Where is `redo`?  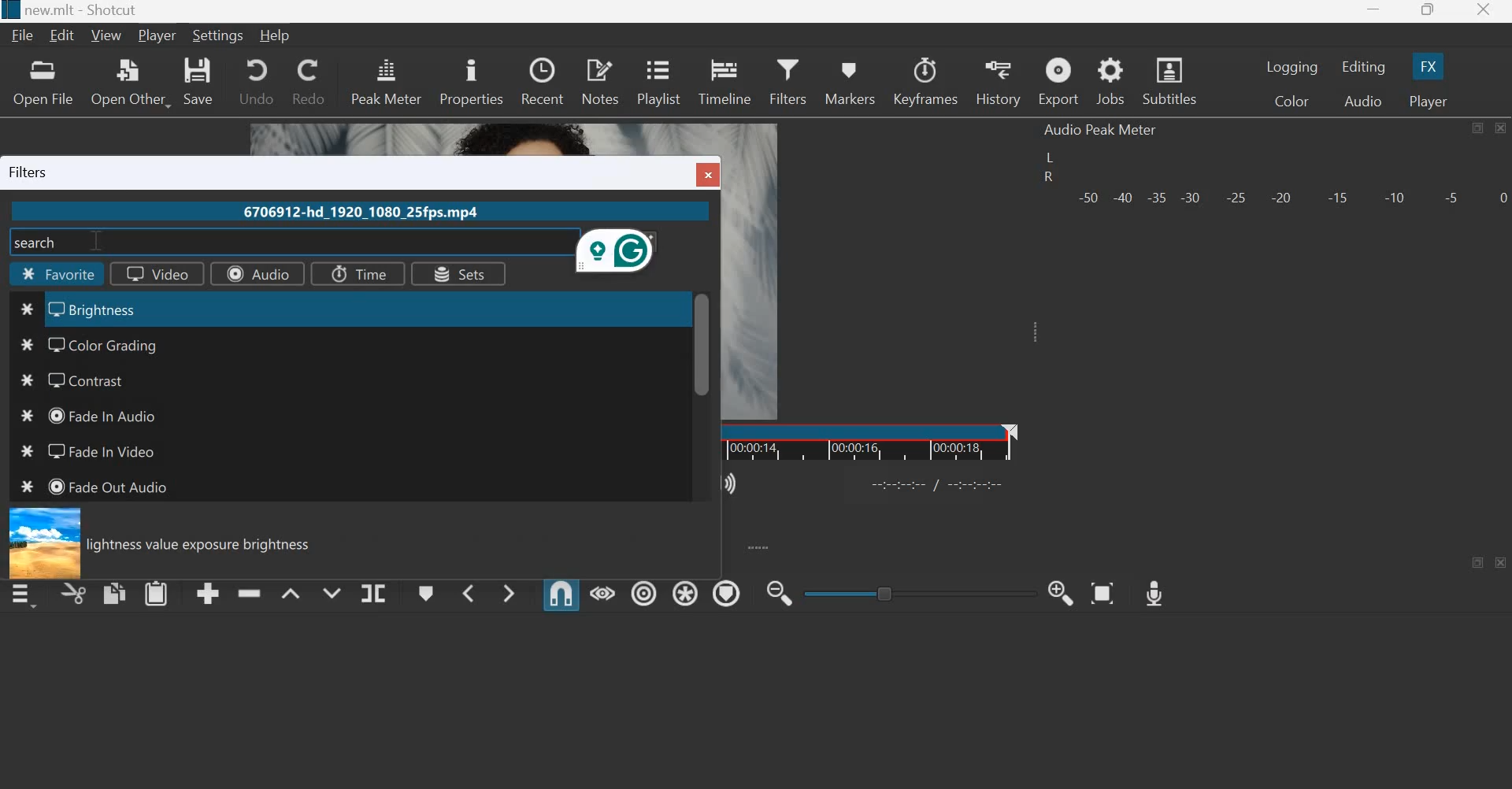 redo is located at coordinates (307, 80).